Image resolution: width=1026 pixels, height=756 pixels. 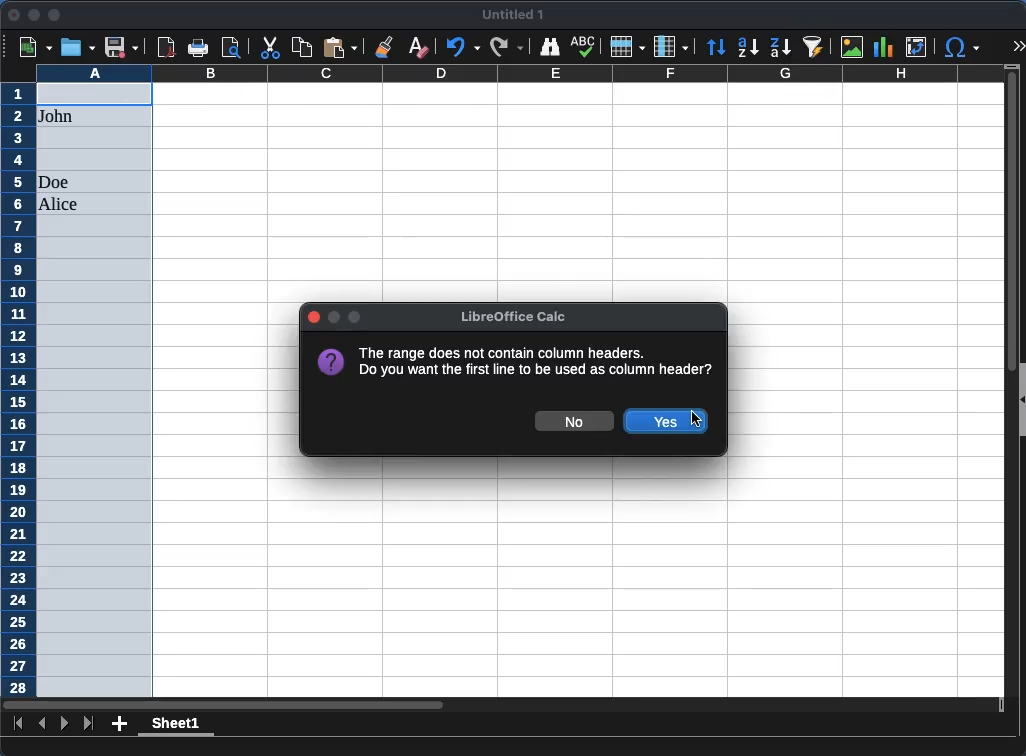 What do you see at coordinates (14, 15) in the screenshot?
I see `close` at bounding box center [14, 15].